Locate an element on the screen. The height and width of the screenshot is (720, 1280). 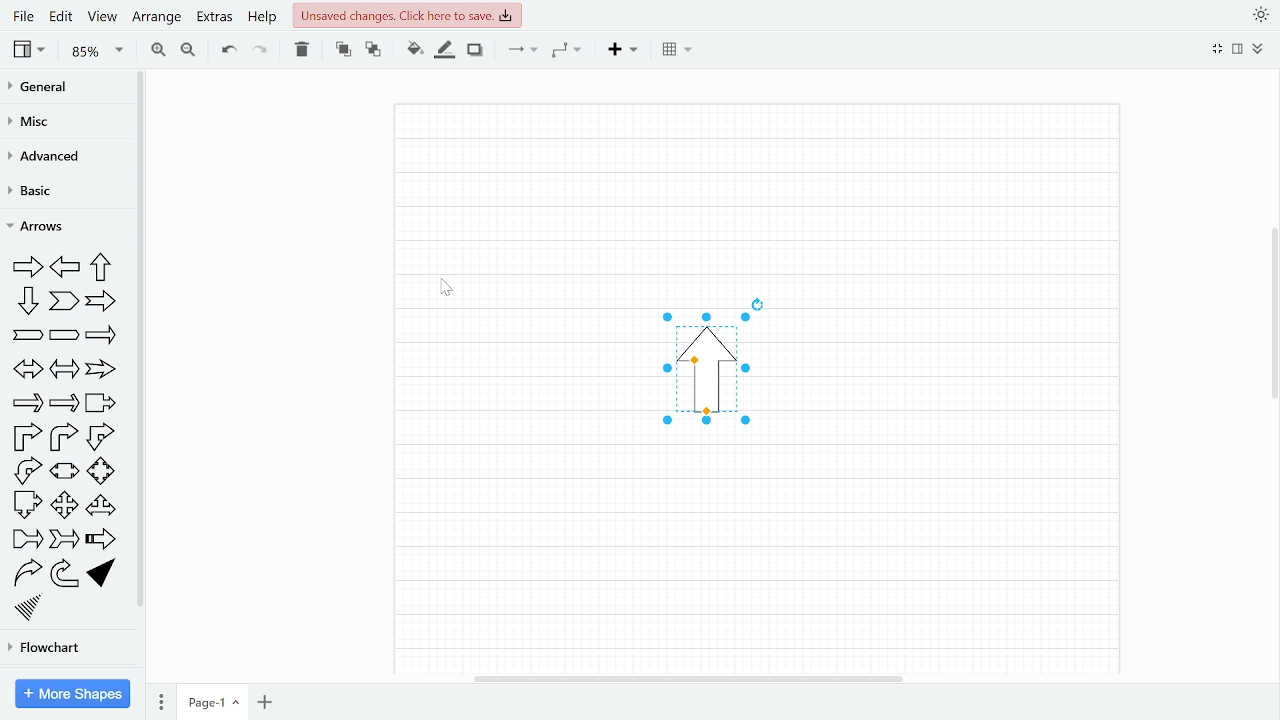
More shapes is located at coordinates (73, 694).